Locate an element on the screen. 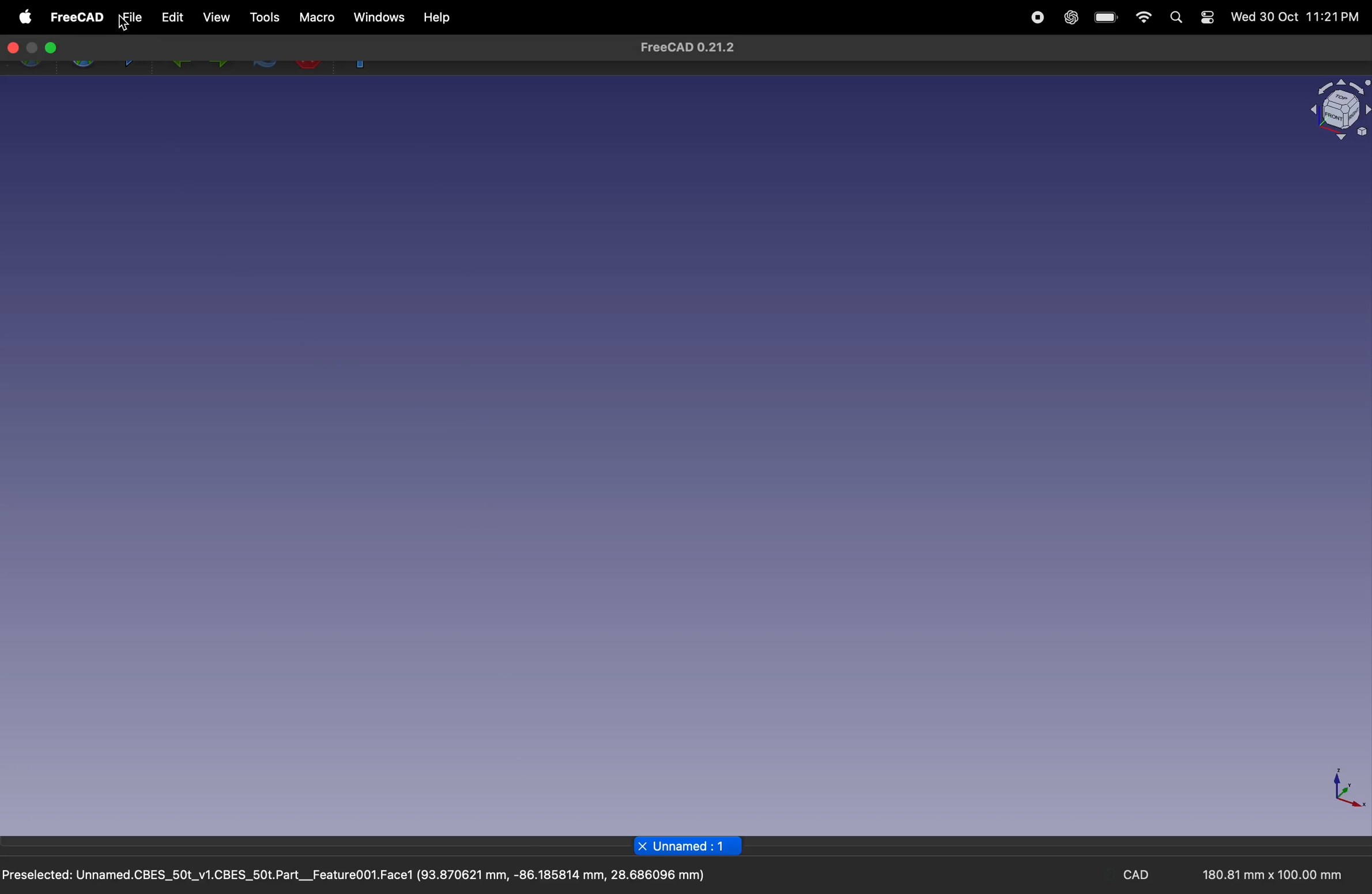 The height and width of the screenshot is (894, 1372). help is located at coordinates (435, 18).